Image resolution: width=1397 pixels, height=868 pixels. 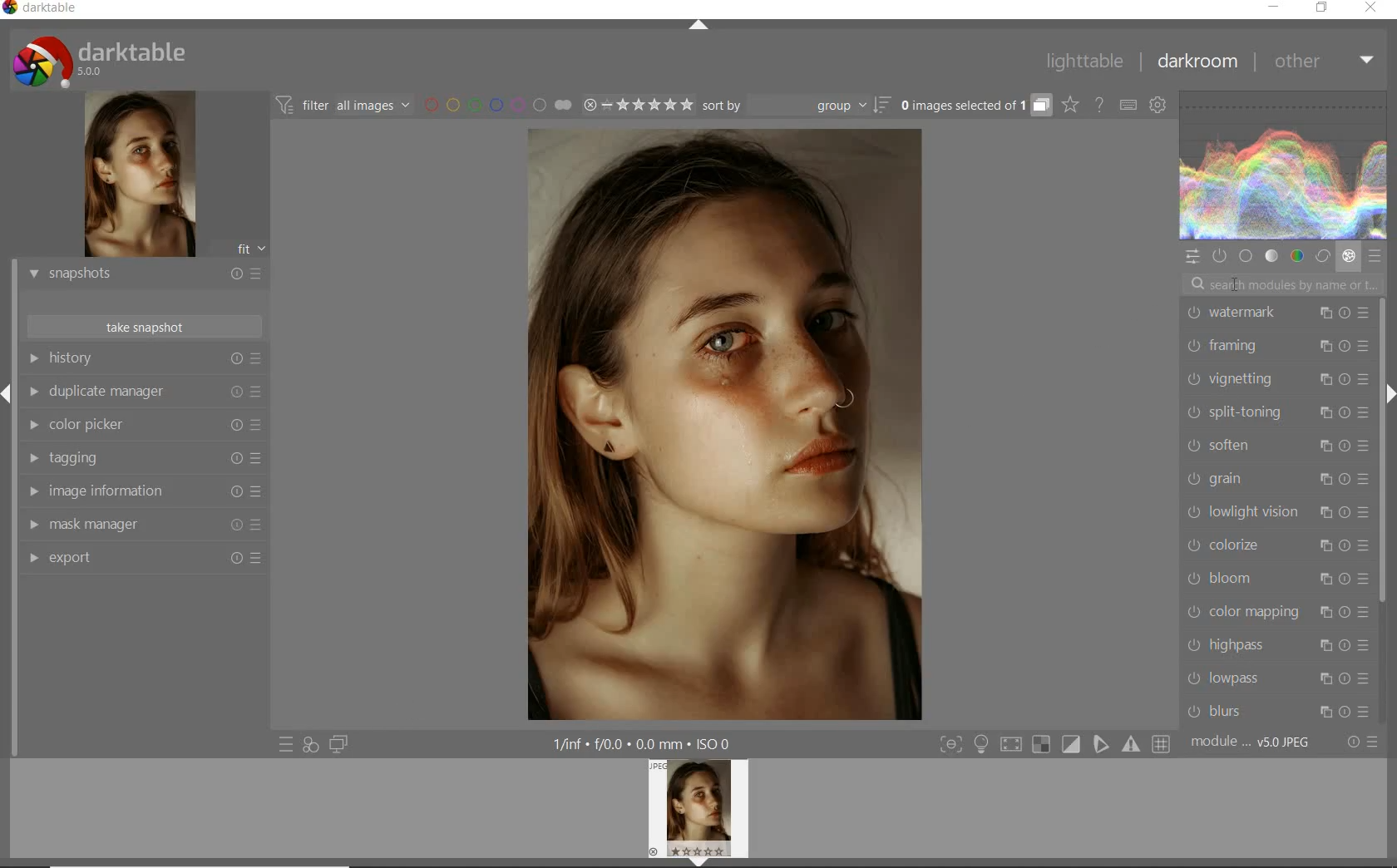 What do you see at coordinates (1233, 284) in the screenshot?
I see `CURSOR` at bounding box center [1233, 284].